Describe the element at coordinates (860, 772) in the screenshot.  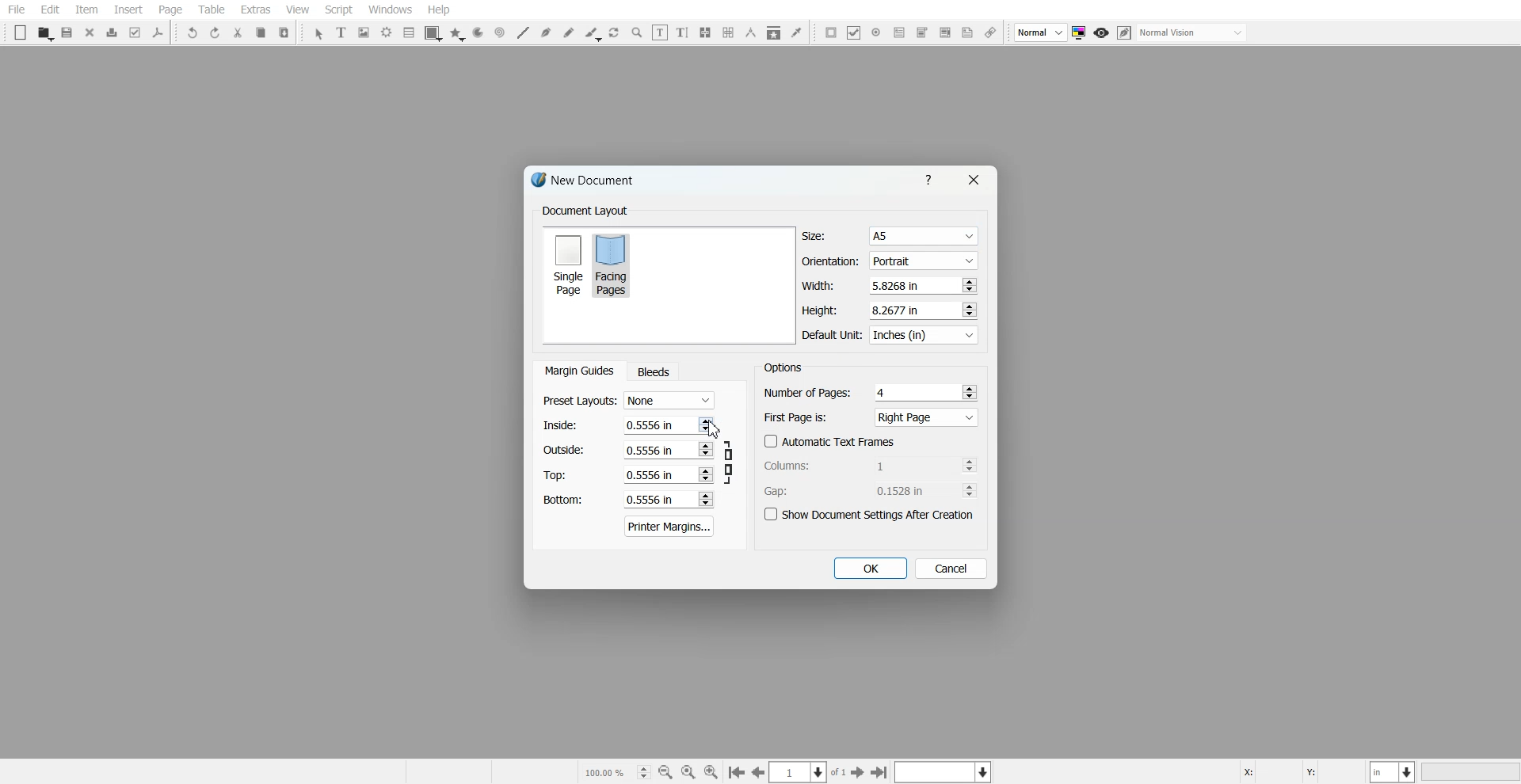
I see `Go to the First page` at that location.